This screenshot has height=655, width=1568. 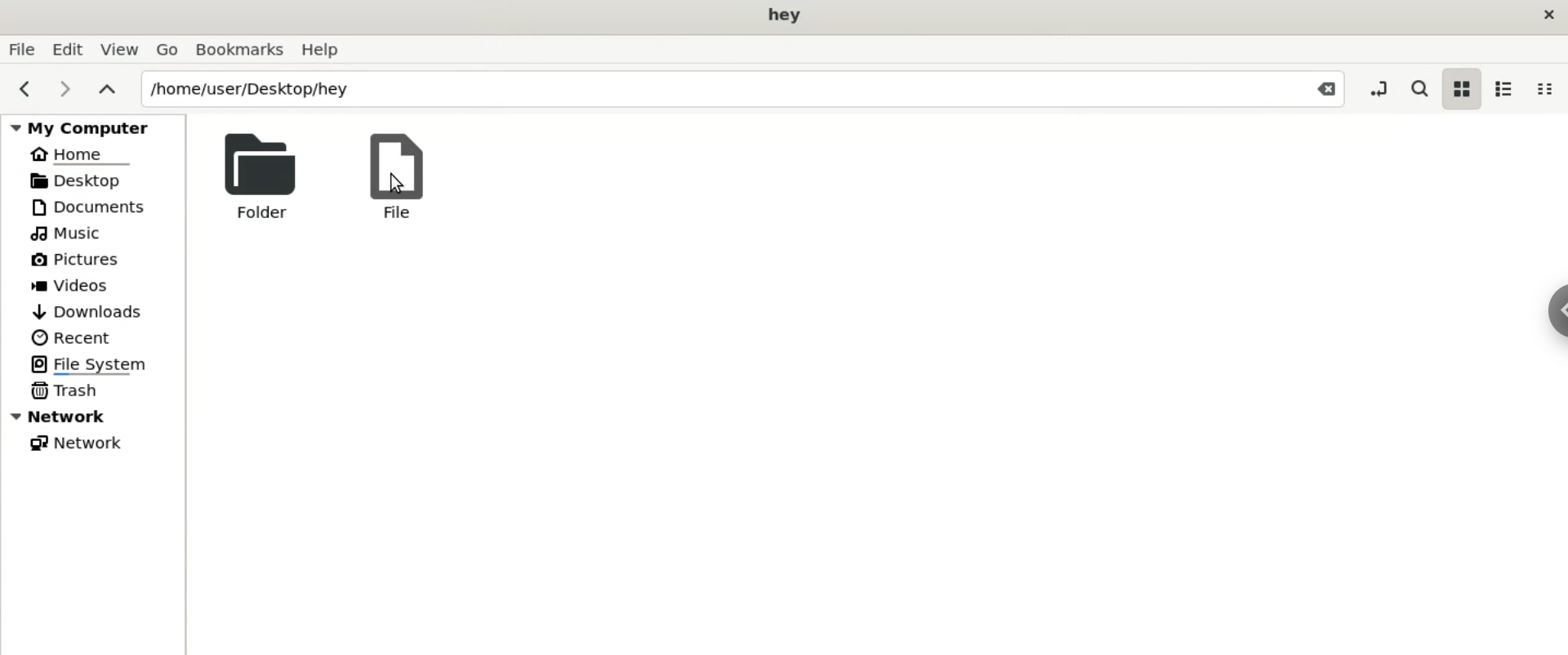 What do you see at coordinates (87, 312) in the screenshot?
I see `downloads` at bounding box center [87, 312].